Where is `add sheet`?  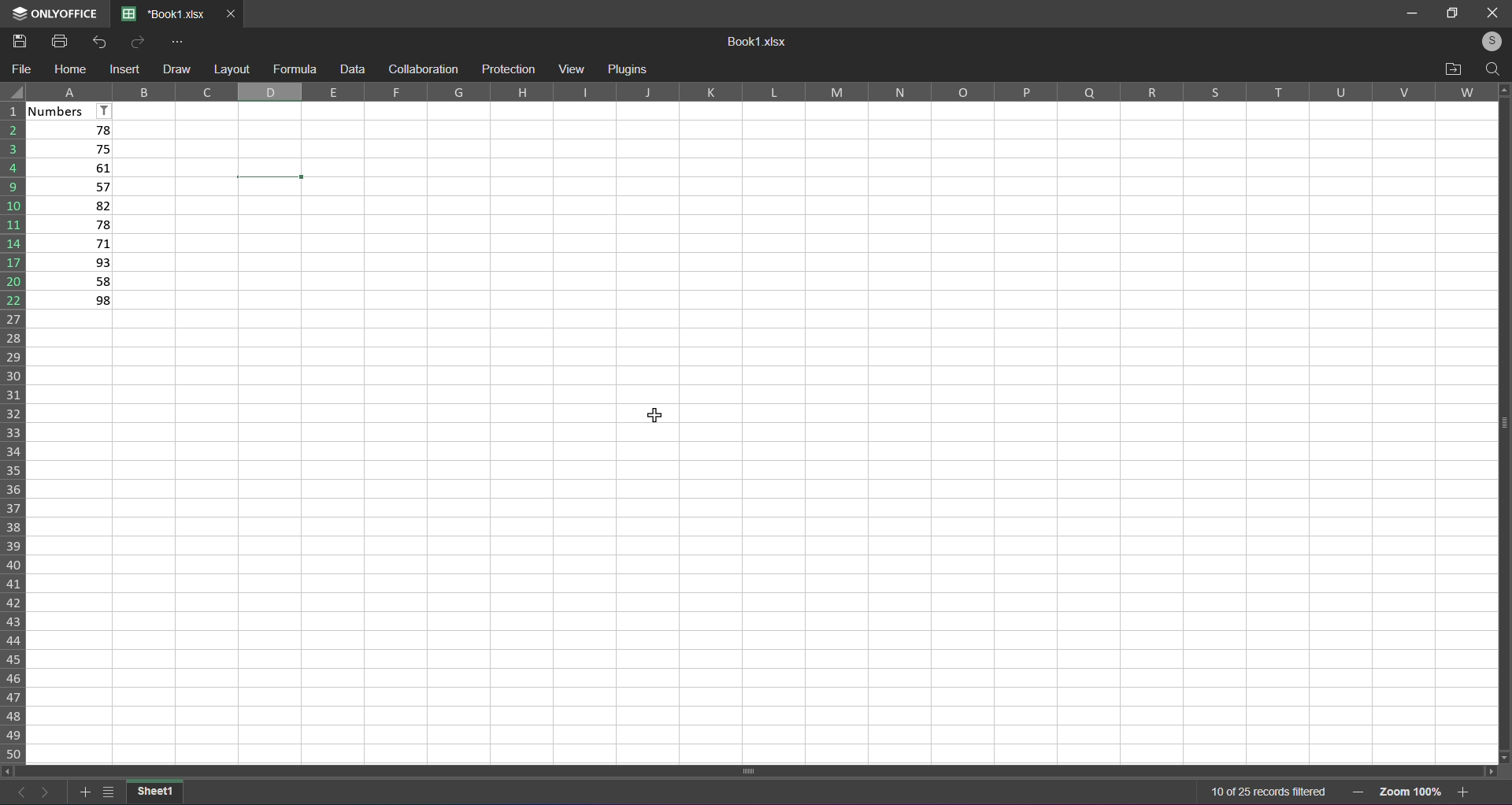
add sheet is located at coordinates (82, 789).